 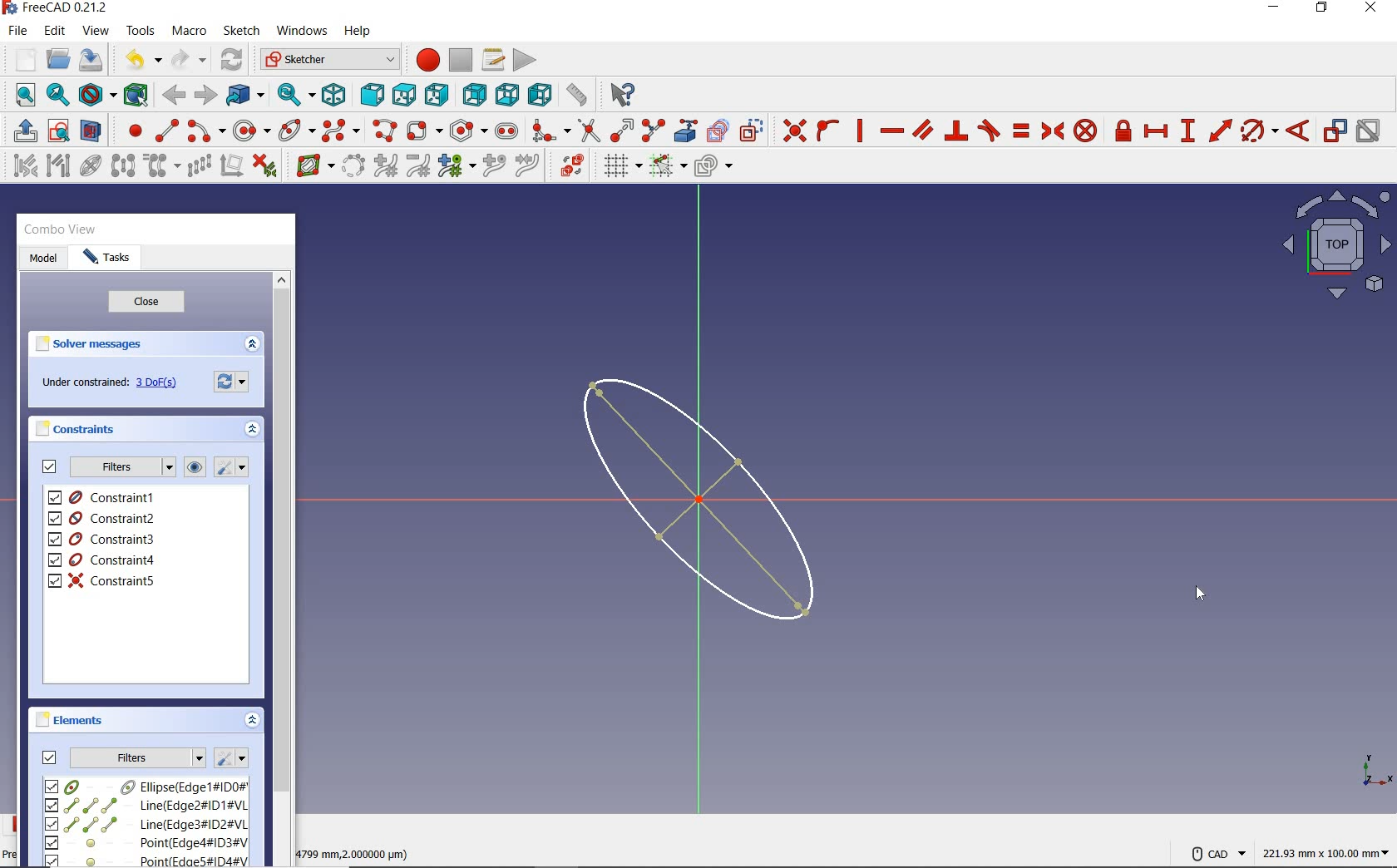 I want to click on back, so click(x=173, y=96).